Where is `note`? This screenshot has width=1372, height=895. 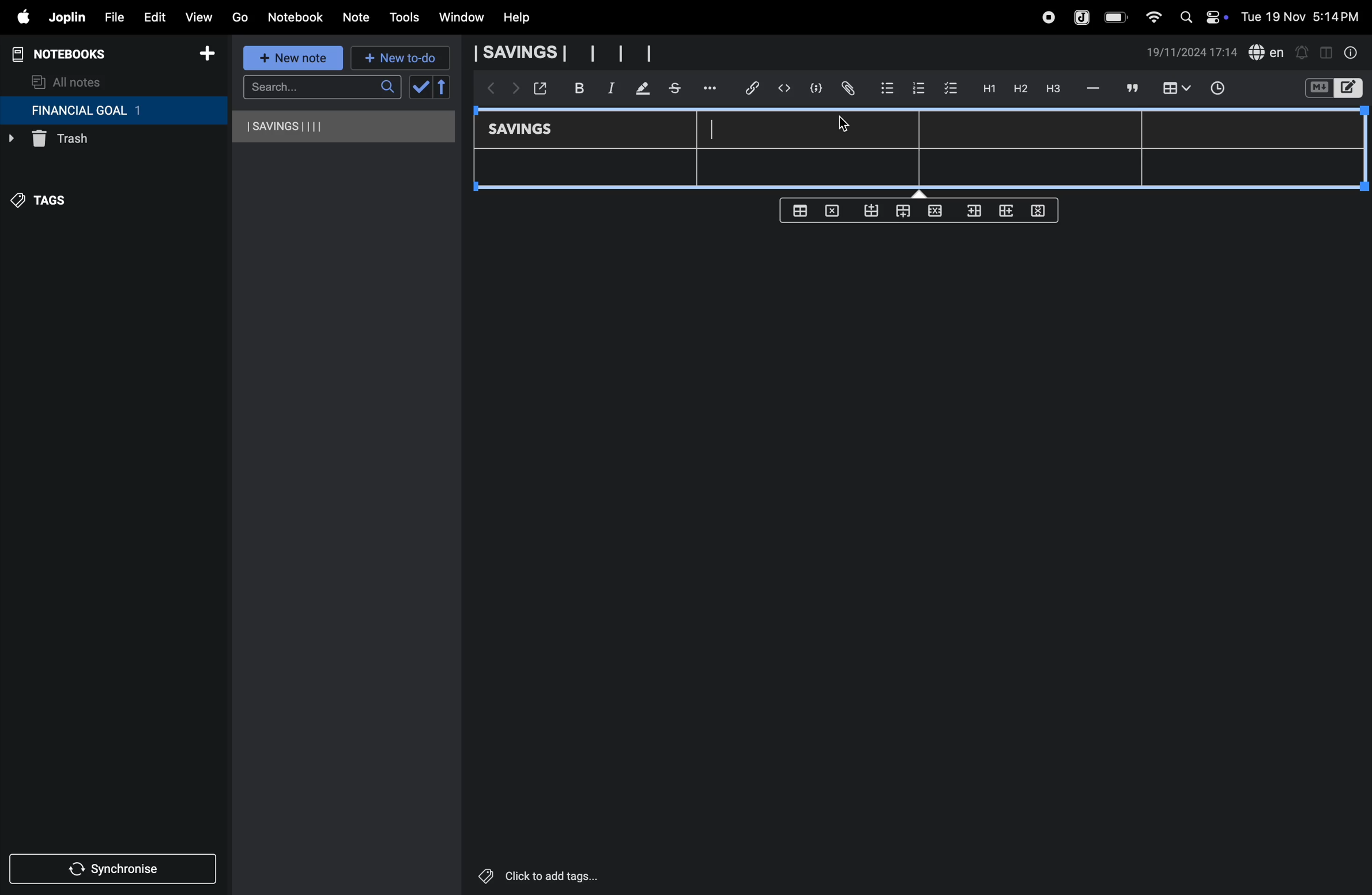 note is located at coordinates (358, 18).